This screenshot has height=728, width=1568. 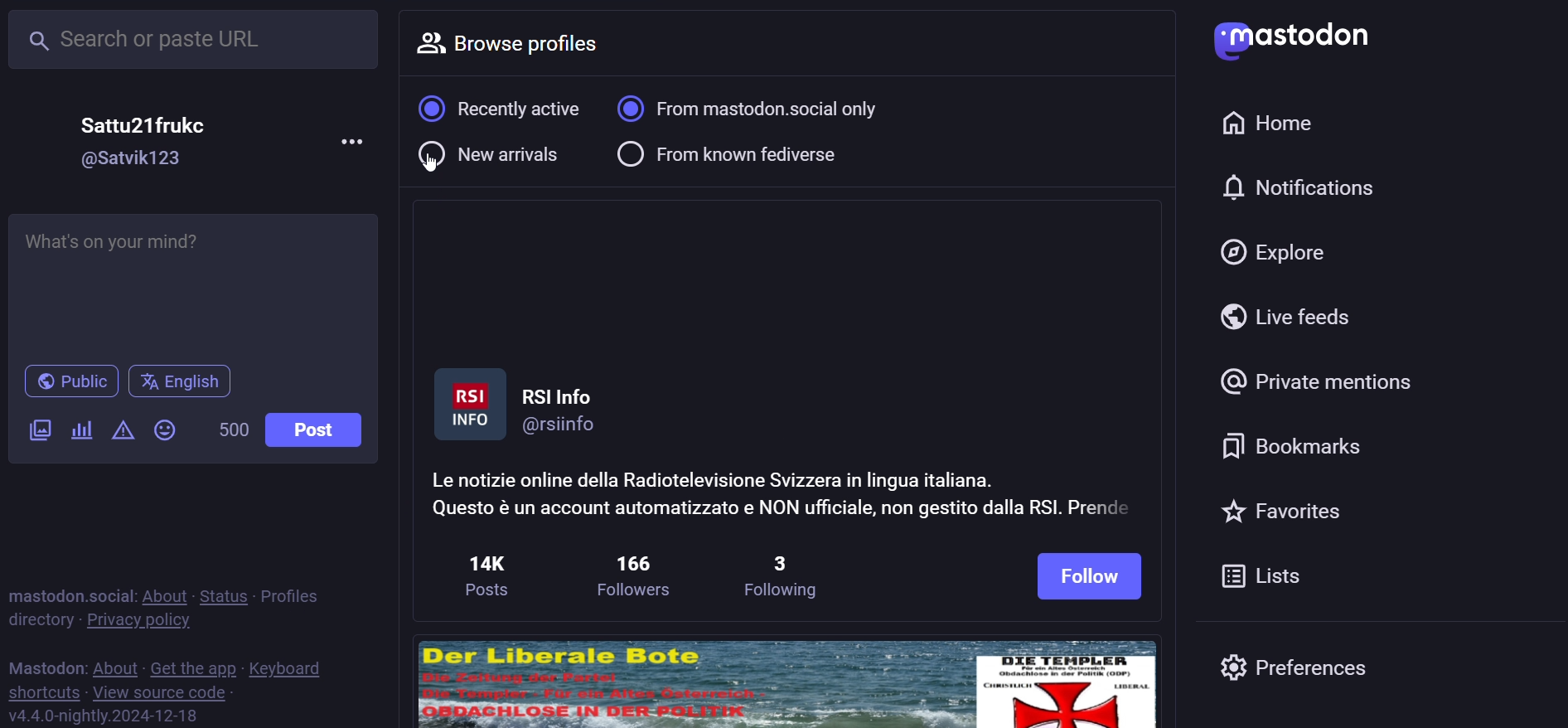 What do you see at coordinates (641, 575) in the screenshot?
I see `186 followers` at bounding box center [641, 575].